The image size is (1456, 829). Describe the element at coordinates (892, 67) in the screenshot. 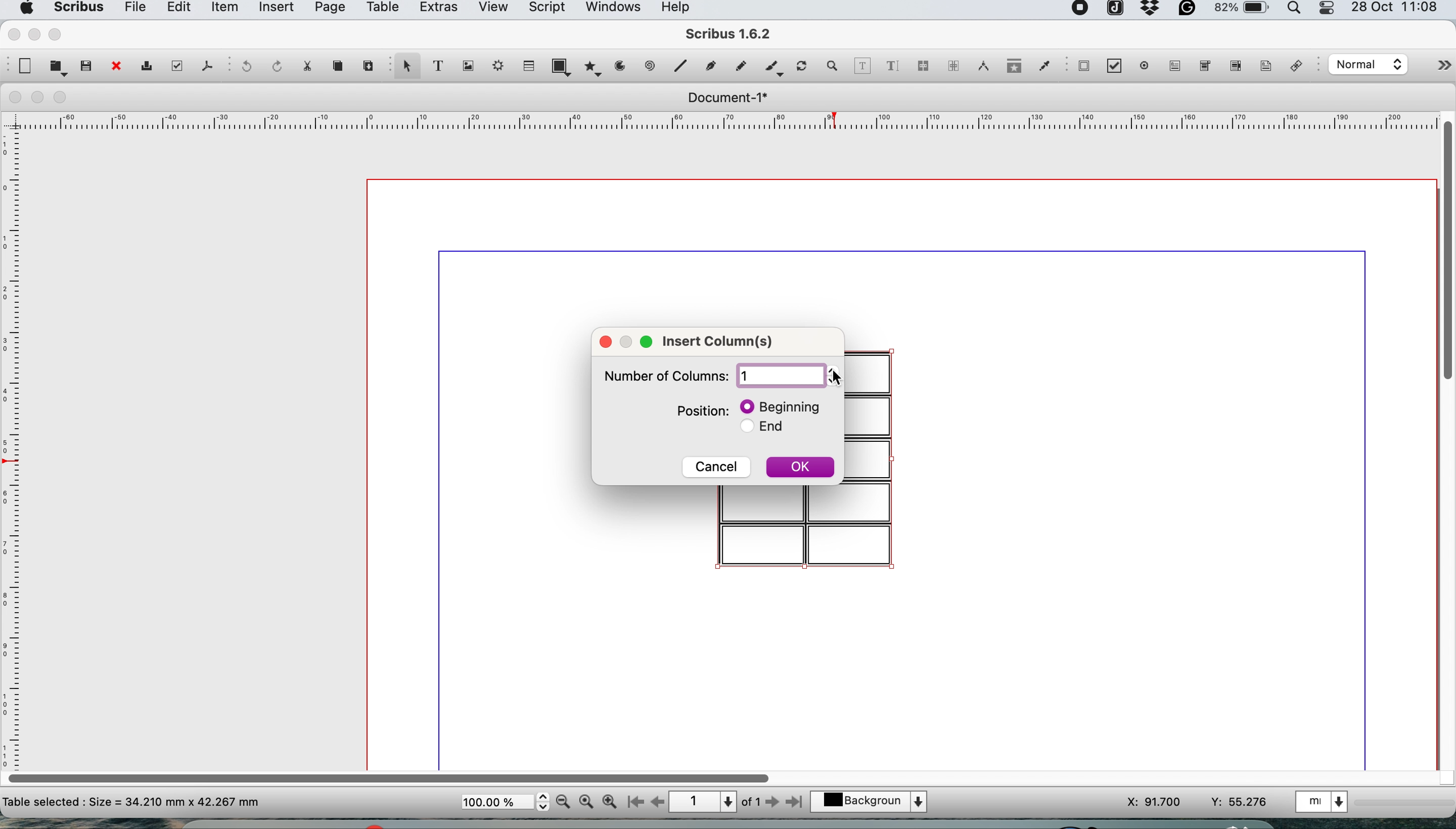

I see `edit text with story mode` at that location.